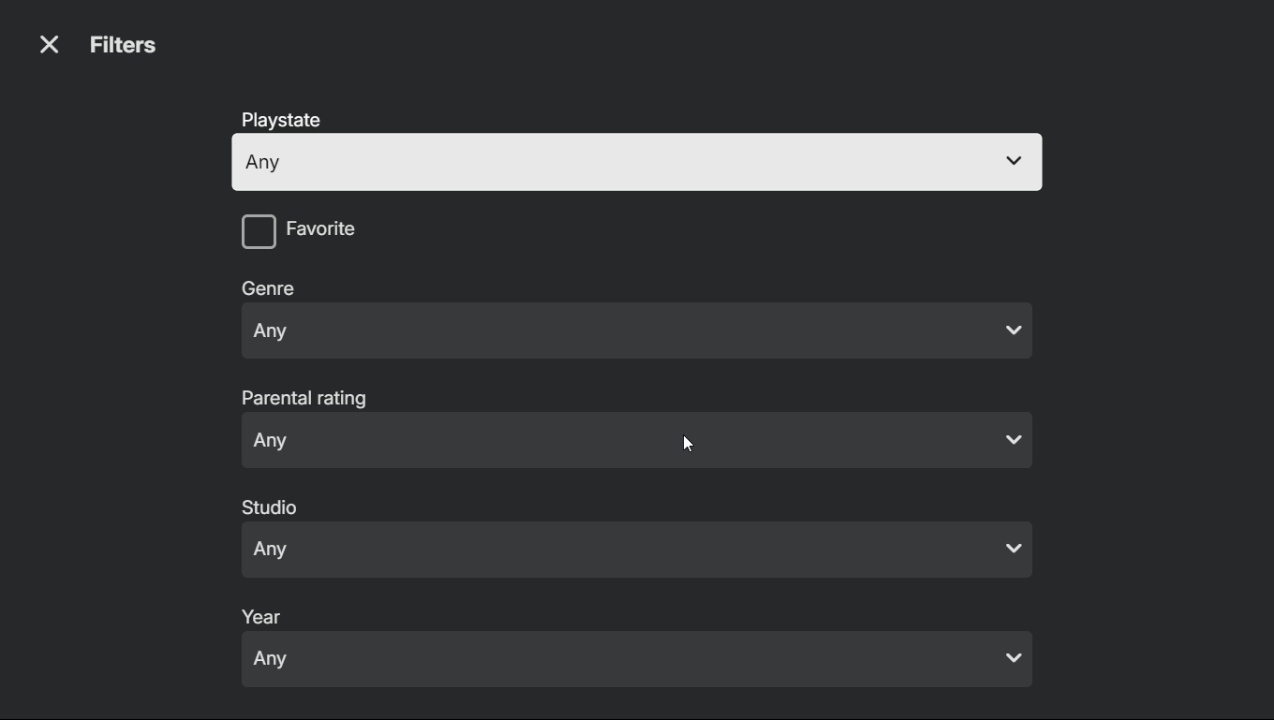 Image resolution: width=1274 pixels, height=720 pixels. I want to click on studio, so click(302, 506).